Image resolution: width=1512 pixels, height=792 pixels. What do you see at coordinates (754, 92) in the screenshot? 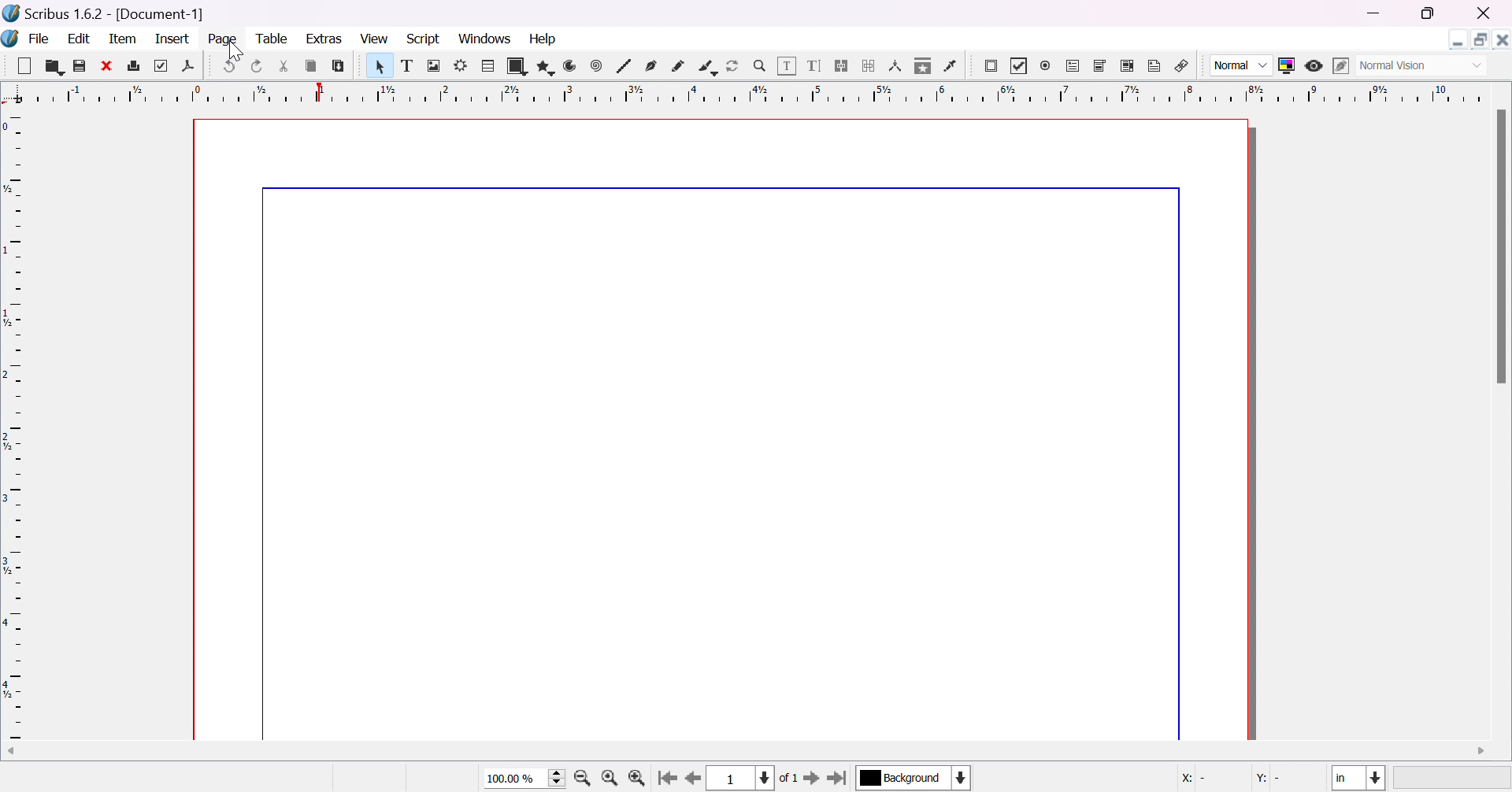
I see `ruler` at bounding box center [754, 92].